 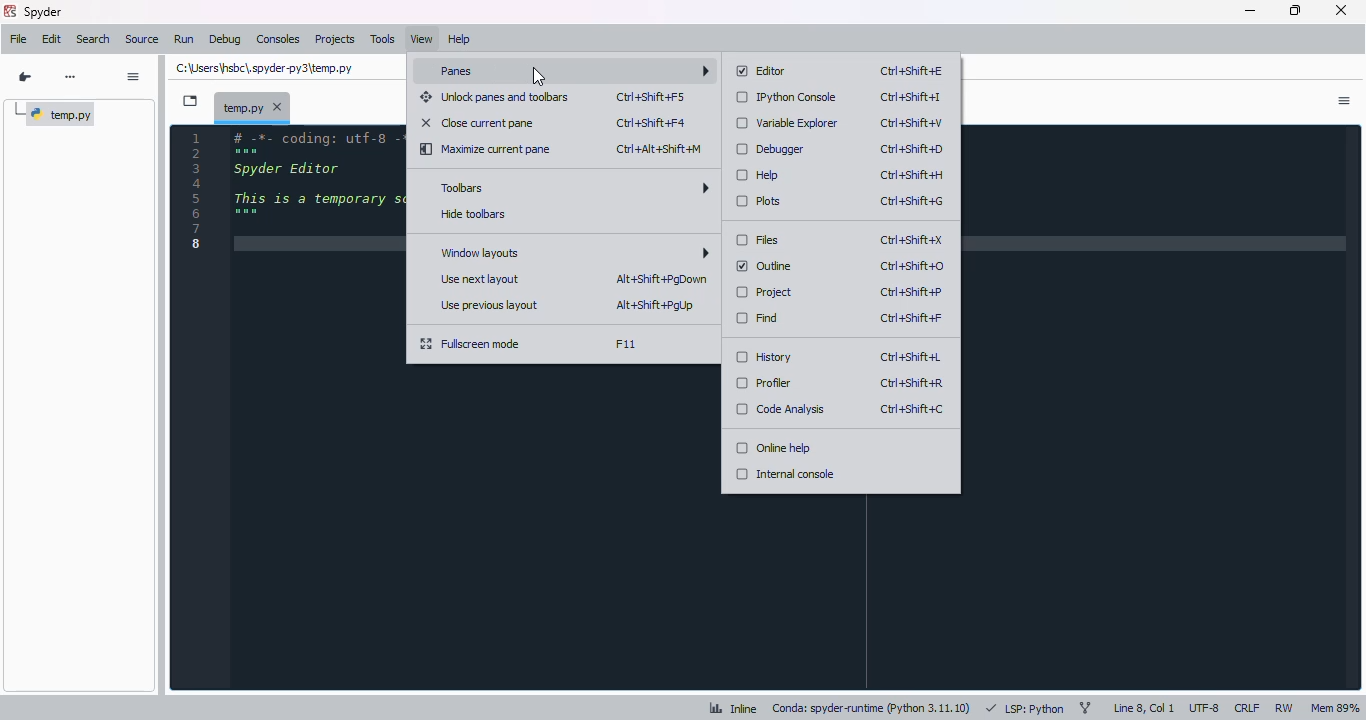 What do you see at coordinates (758, 318) in the screenshot?
I see `find` at bounding box center [758, 318].